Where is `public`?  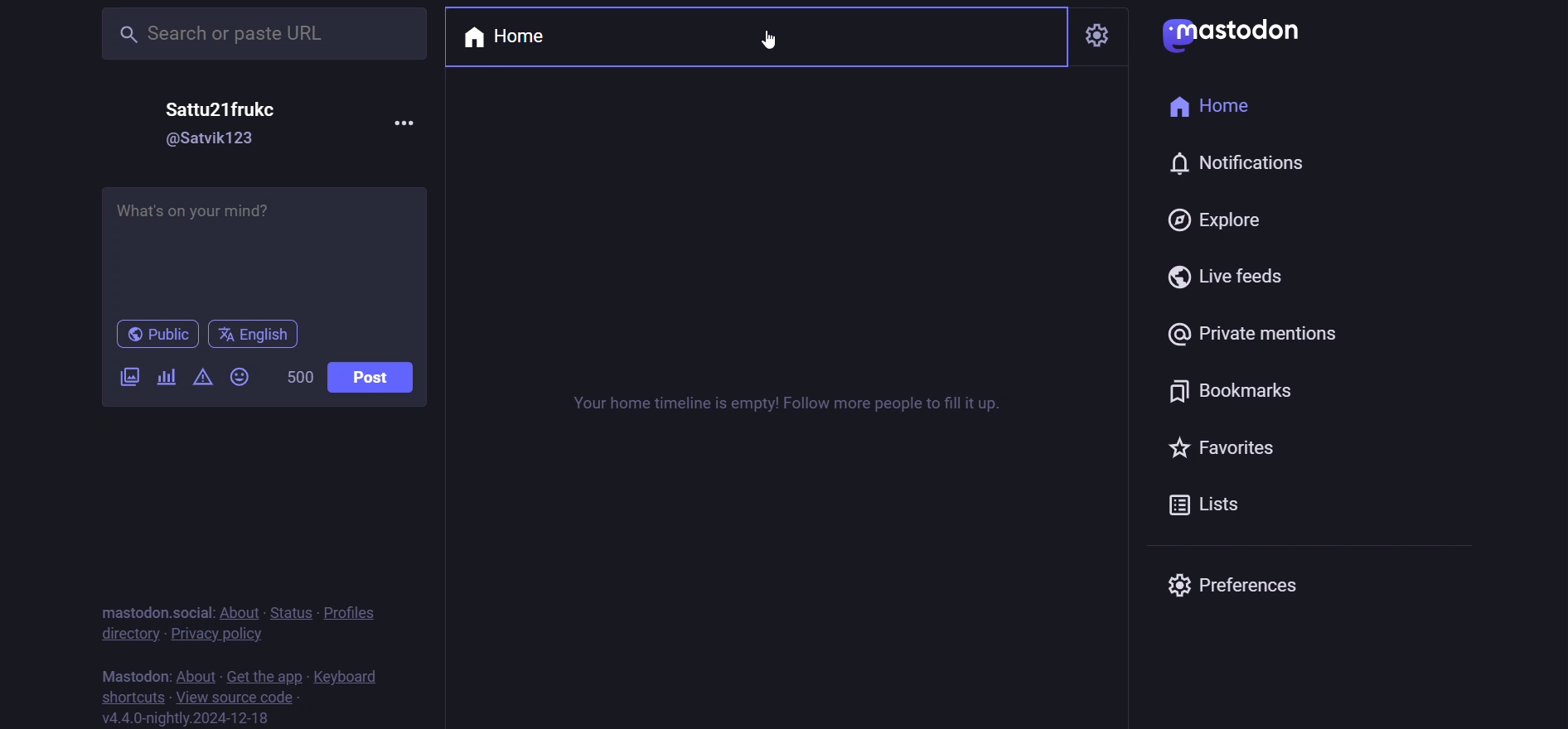 public is located at coordinates (160, 335).